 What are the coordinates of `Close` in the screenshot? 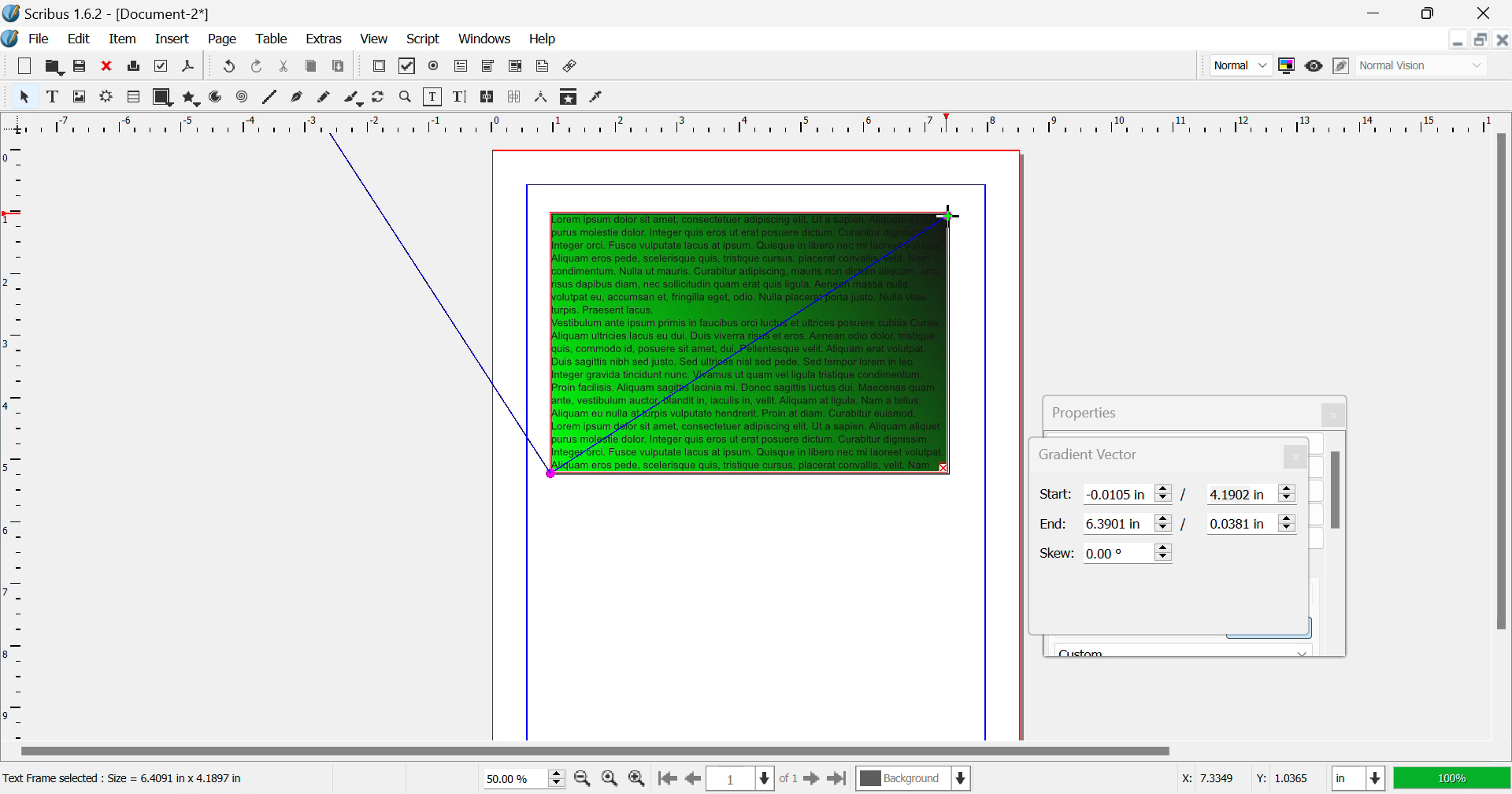 It's located at (1488, 13).